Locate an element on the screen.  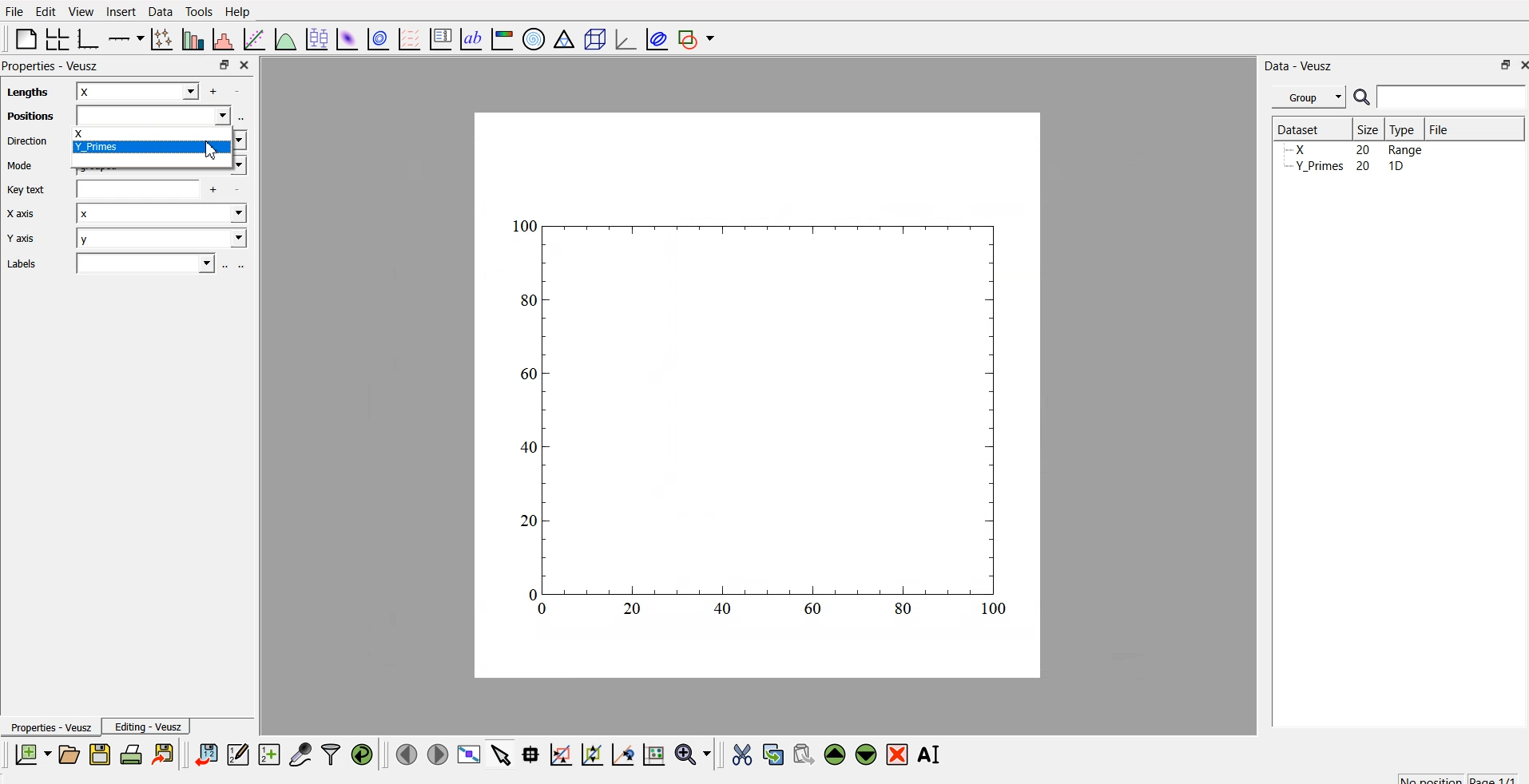
Mode is located at coordinates (24, 164).